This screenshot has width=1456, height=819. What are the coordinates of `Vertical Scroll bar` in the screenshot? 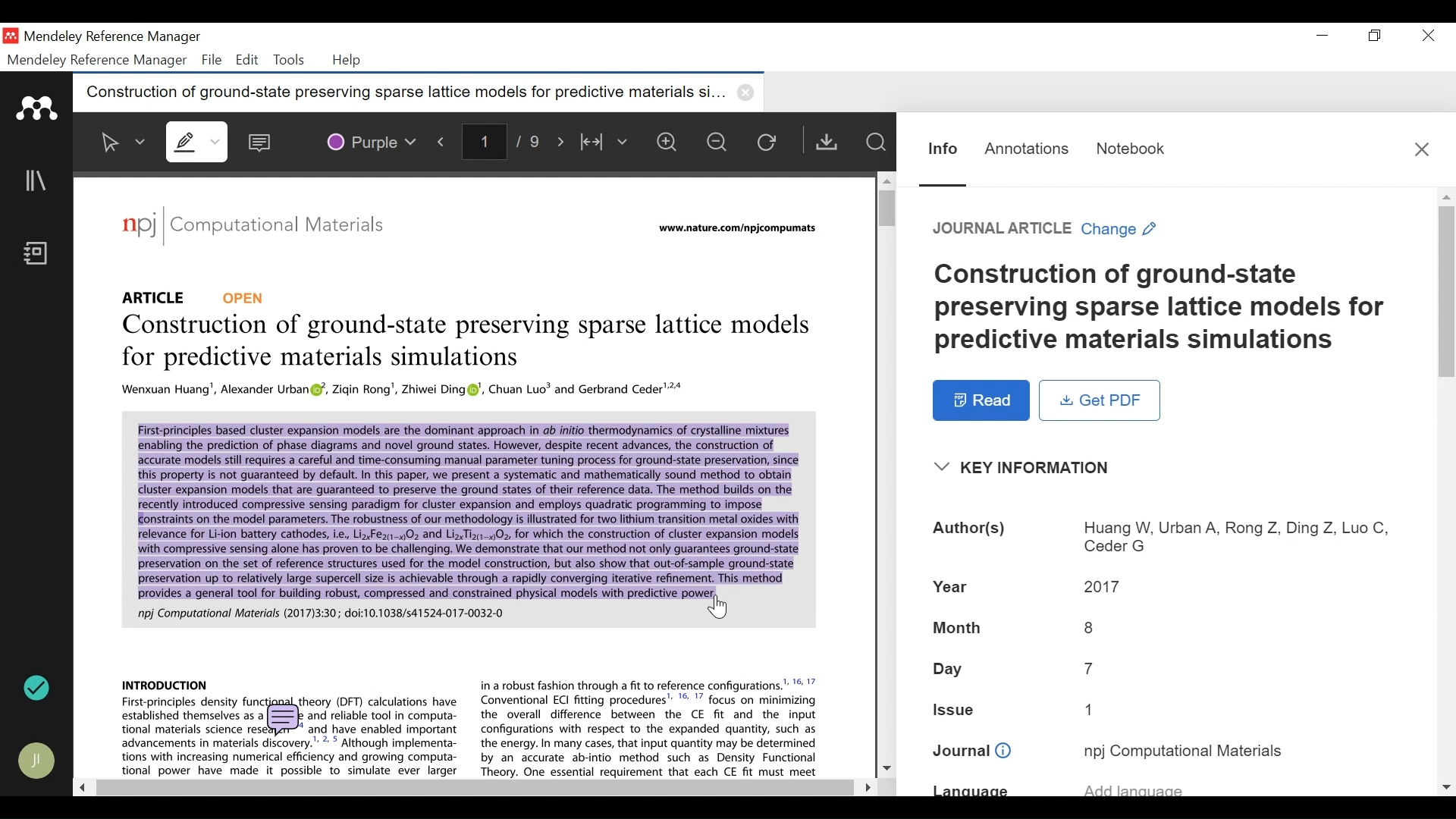 It's located at (1447, 290).